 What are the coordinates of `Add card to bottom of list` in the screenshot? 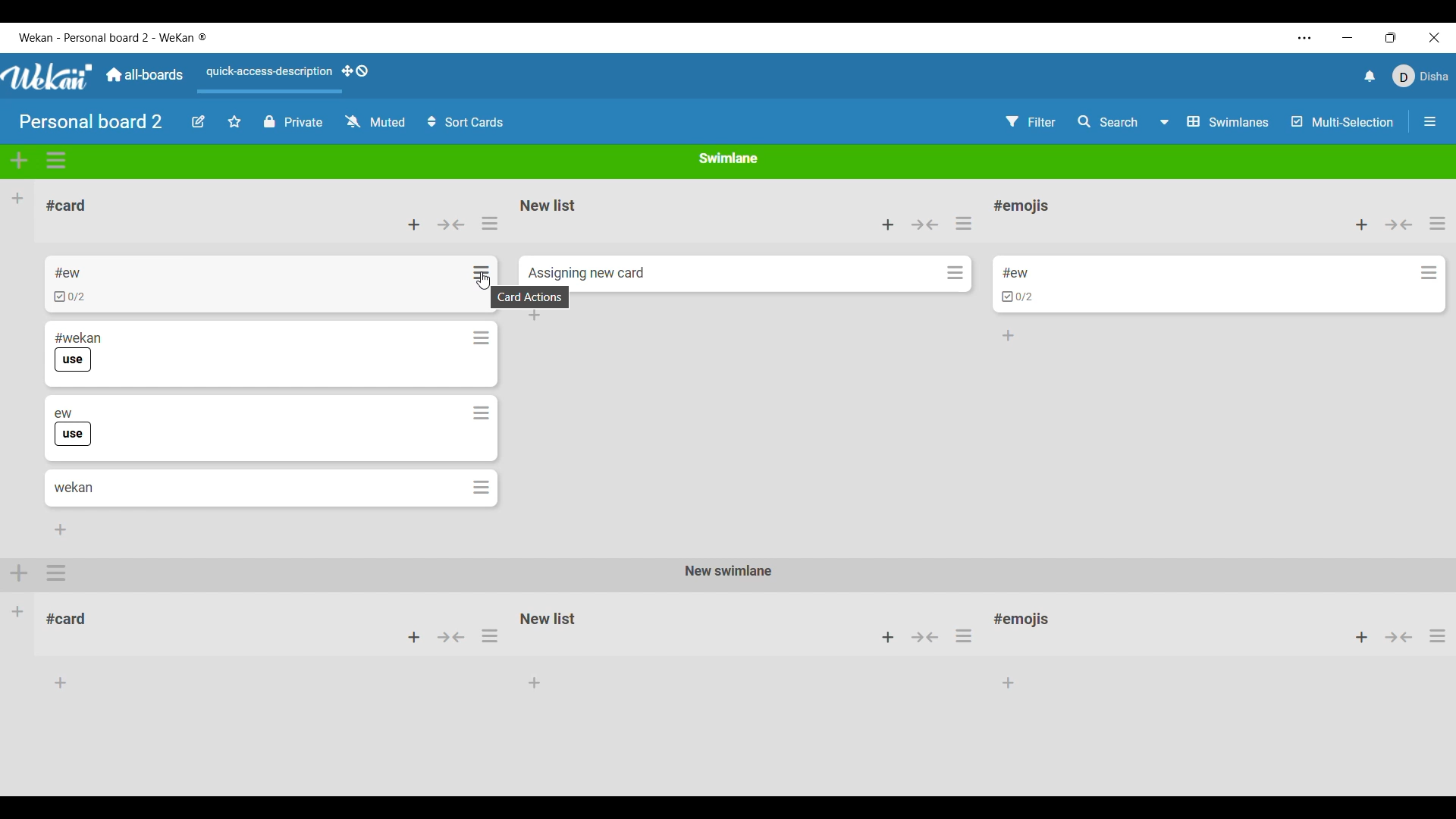 It's located at (61, 529).